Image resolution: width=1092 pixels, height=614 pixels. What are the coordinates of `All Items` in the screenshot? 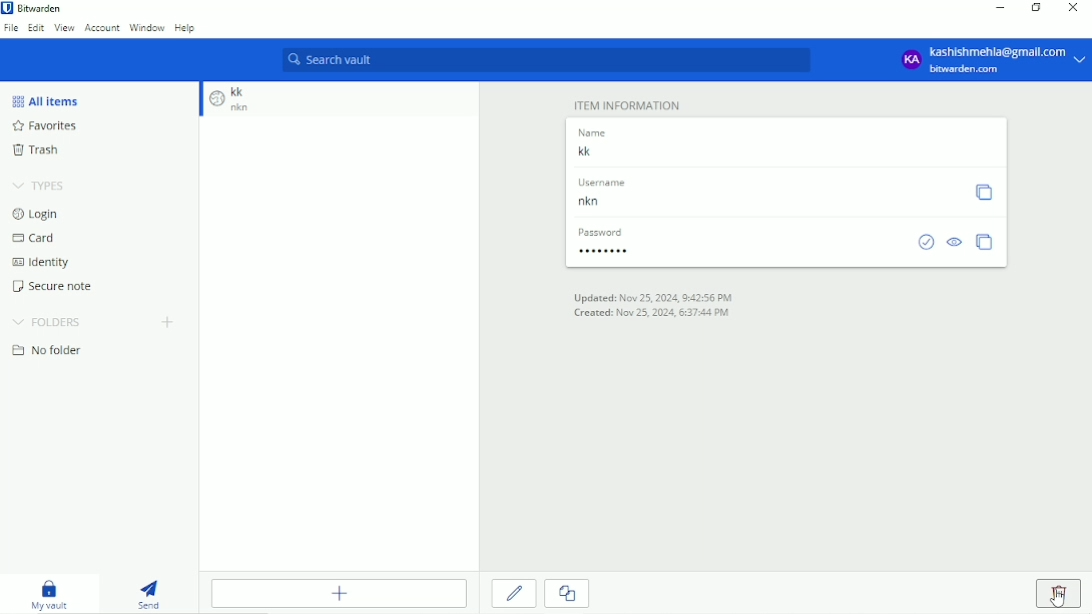 It's located at (45, 100).